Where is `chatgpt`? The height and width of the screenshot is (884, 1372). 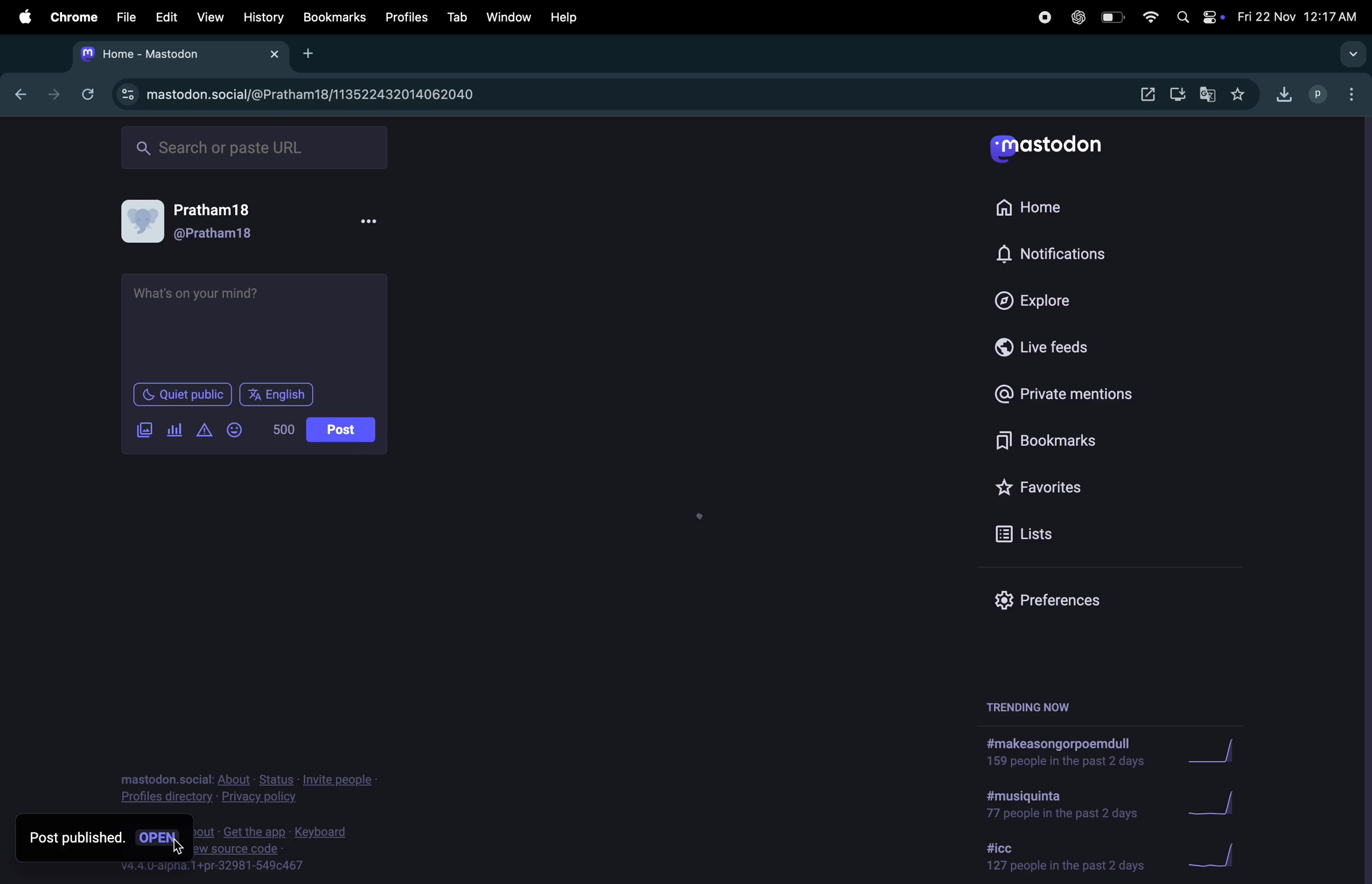 chatgpt is located at coordinates (1077, 18).